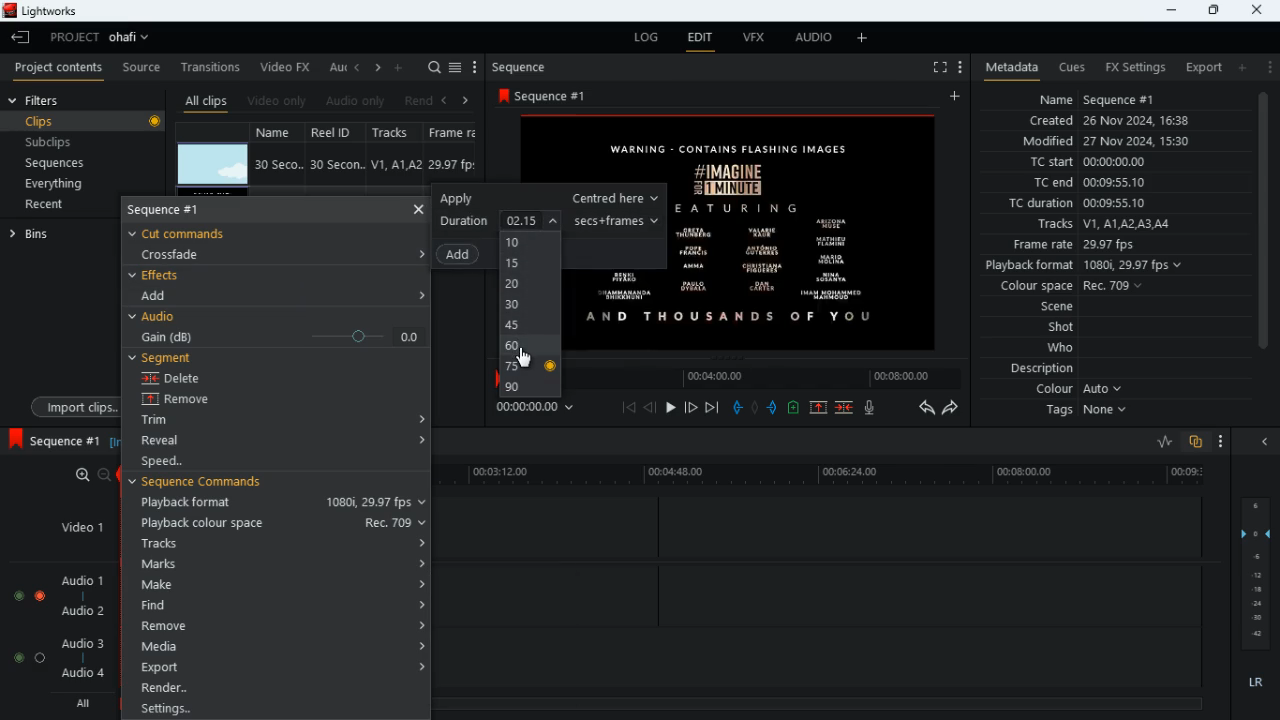 The width and height of the screenshot is (1280, 720). What do you see at coordinates (752, 39) in the screenshot?
I see `vfx` at bounding box center [752, 39].